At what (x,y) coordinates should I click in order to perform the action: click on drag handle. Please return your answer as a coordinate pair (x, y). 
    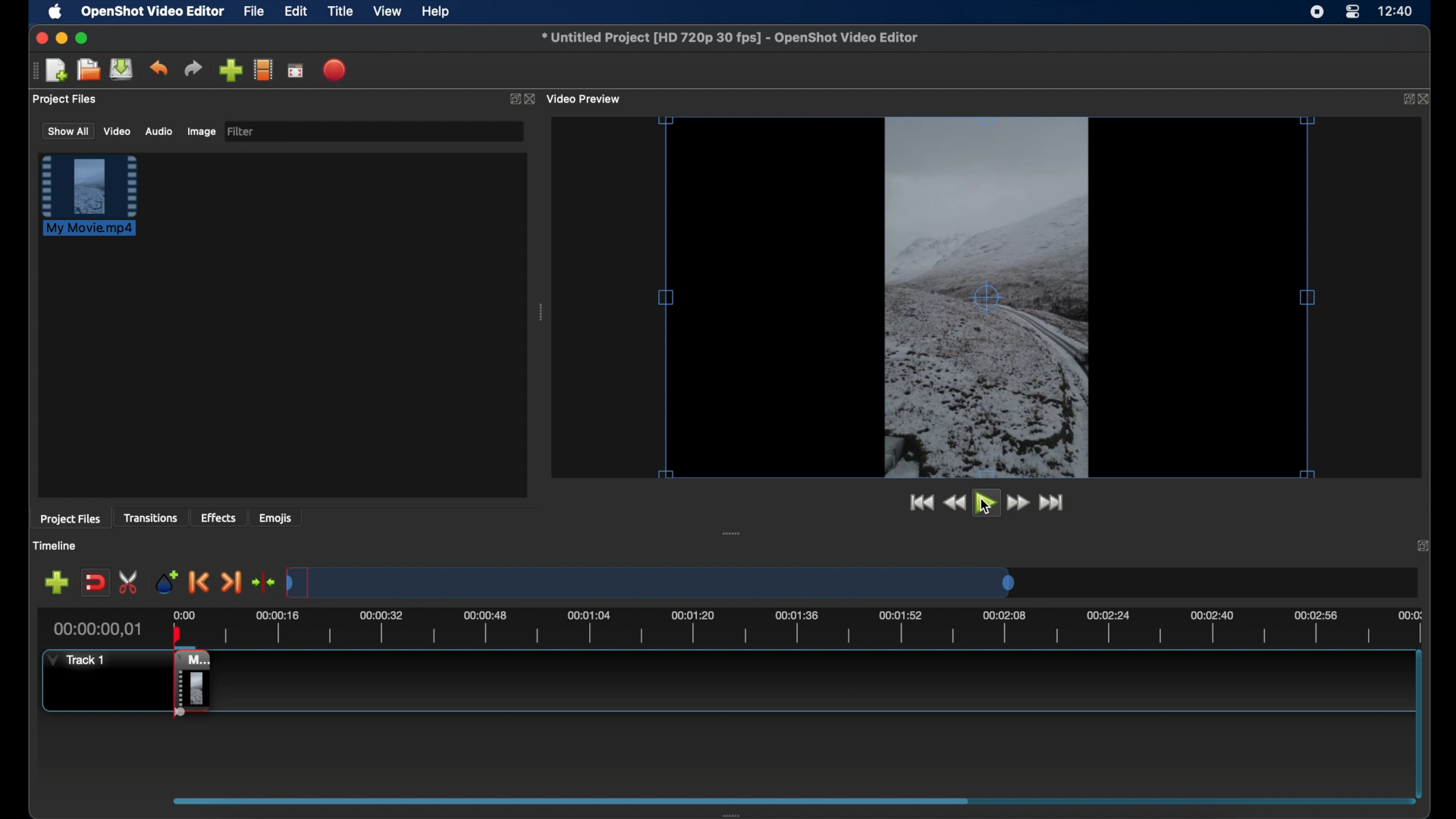
    Looking at the image, I should click on (730, 813).